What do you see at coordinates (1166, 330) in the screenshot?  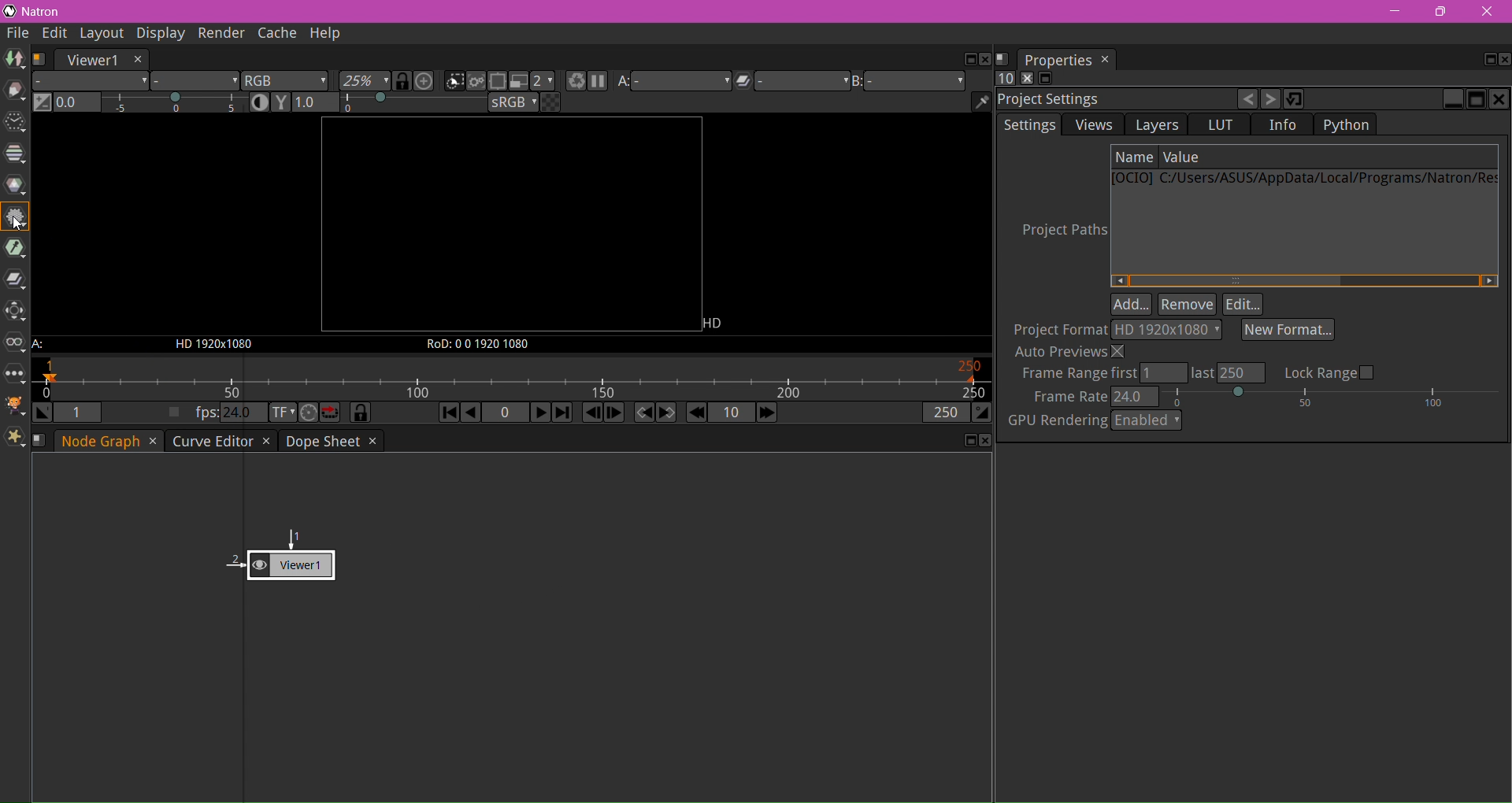 I see `Current Project format` at bounding box center [1166, 330].